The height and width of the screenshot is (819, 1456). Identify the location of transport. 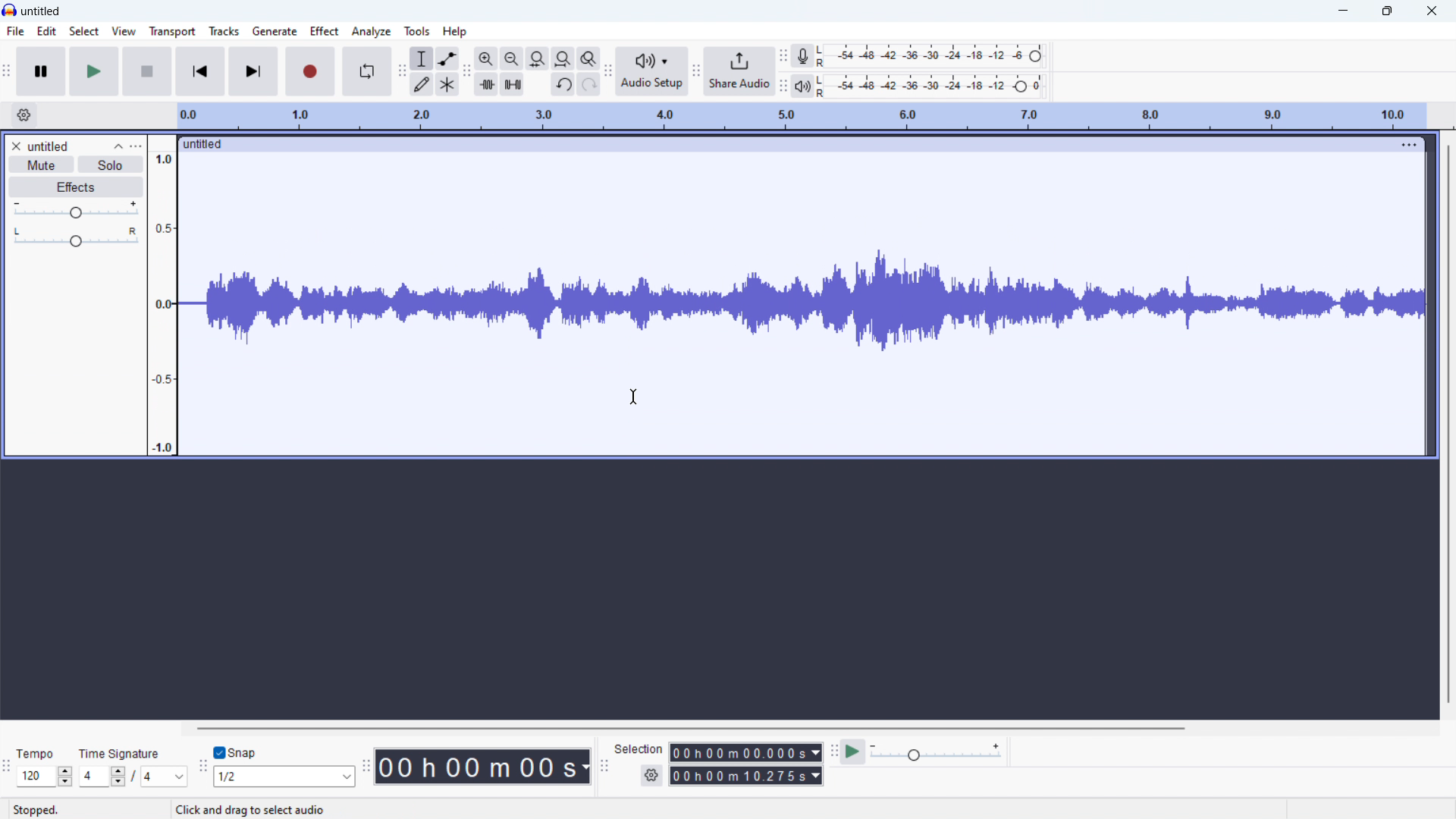
(172, 31).